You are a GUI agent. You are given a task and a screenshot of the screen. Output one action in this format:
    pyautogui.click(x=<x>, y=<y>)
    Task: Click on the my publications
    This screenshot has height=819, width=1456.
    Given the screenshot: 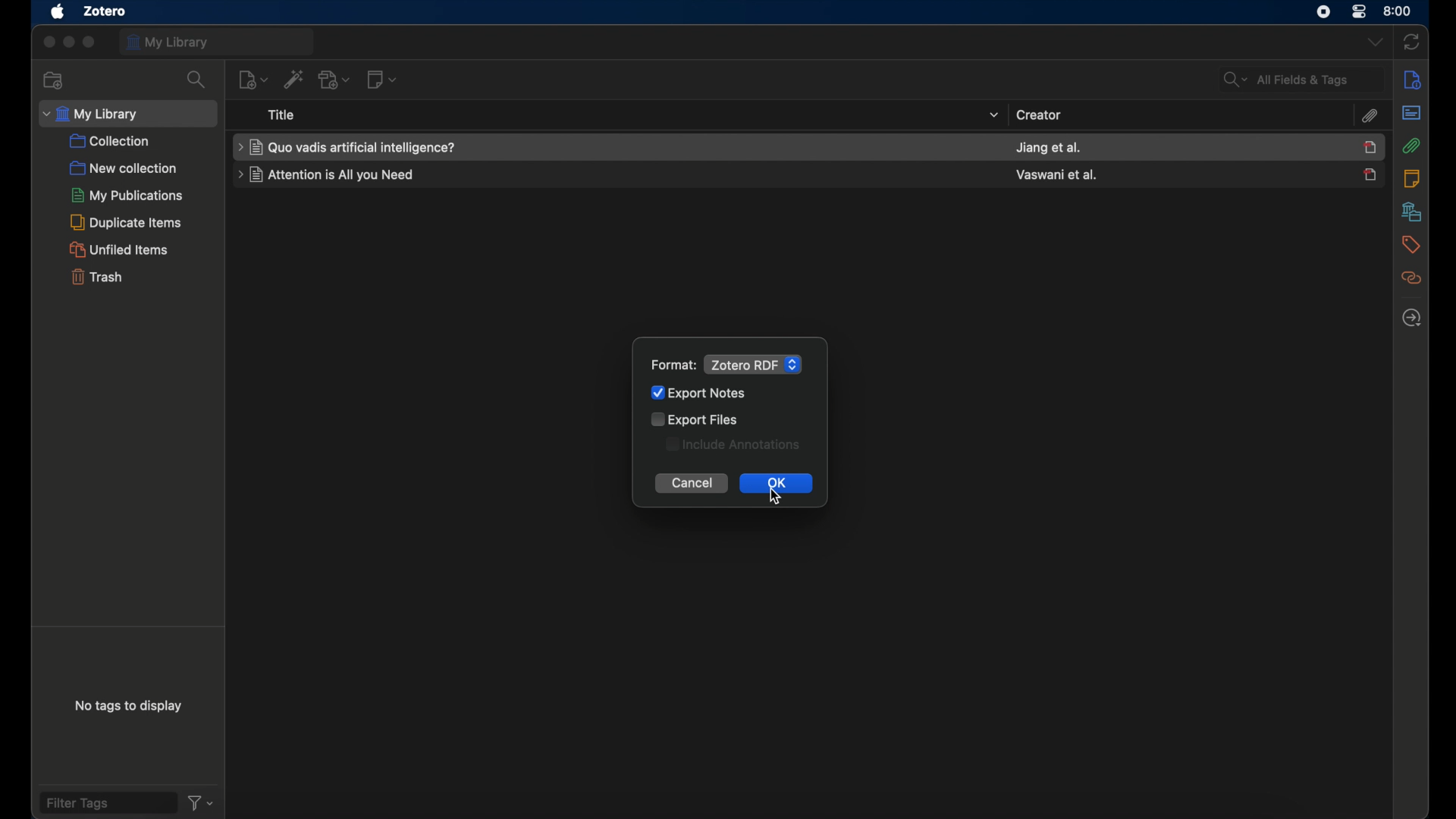 What is the action you would take?
    pyautogui.click(x=128, y=195)
    